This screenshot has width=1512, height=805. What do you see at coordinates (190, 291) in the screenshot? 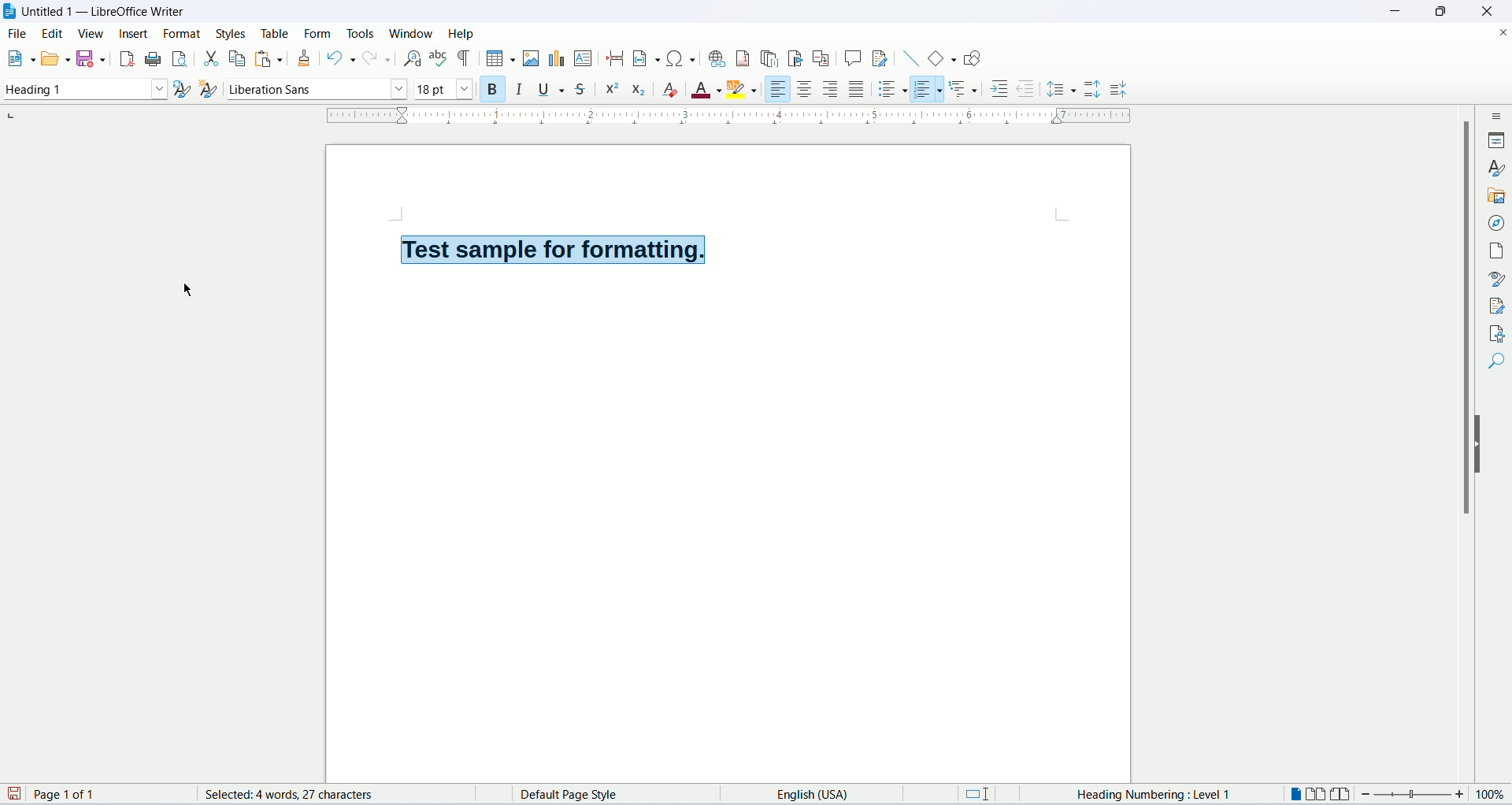
I see `cursor` at bounding box center [190, 291].